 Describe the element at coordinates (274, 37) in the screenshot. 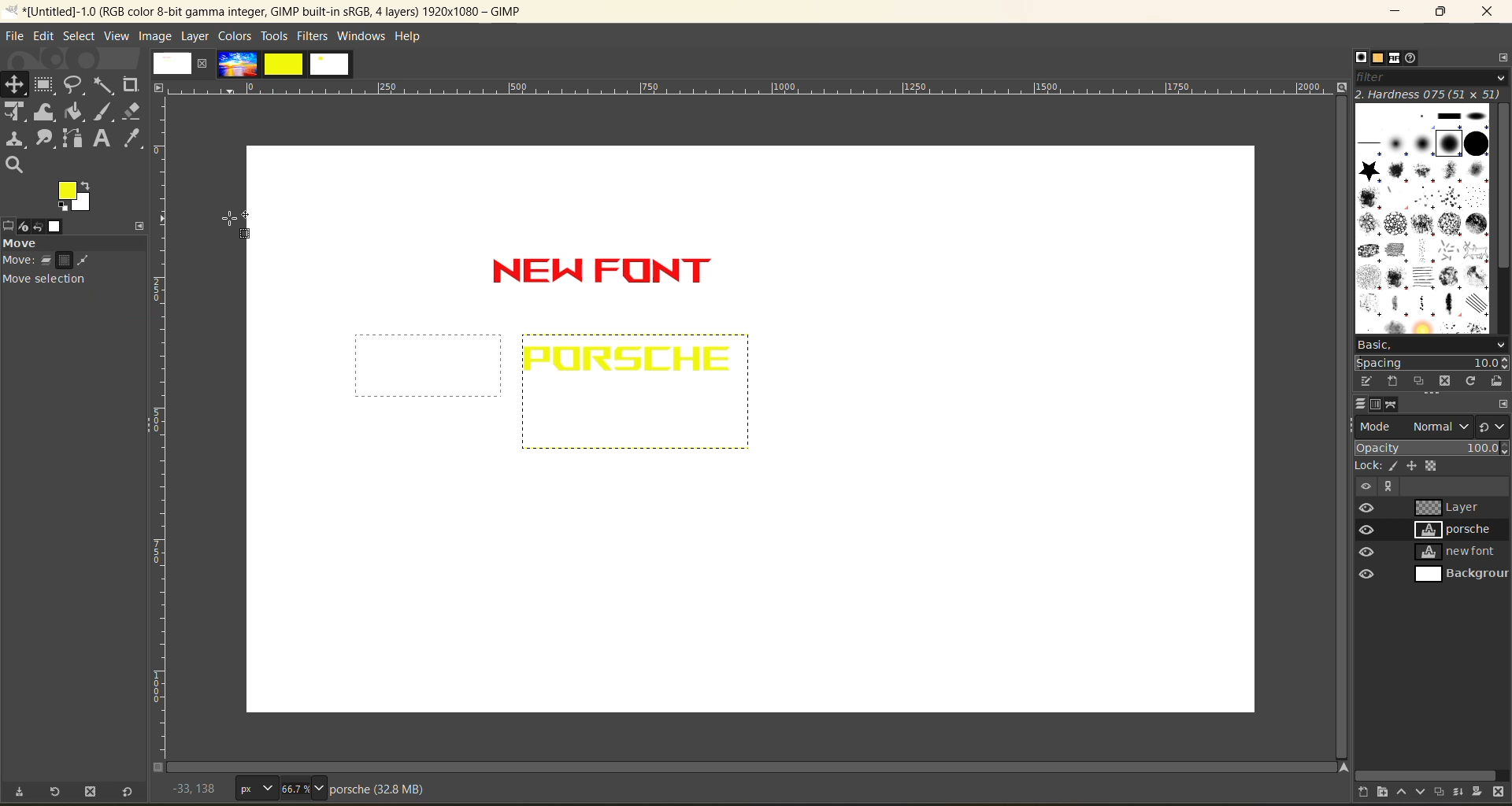

I see `tools` at that location.